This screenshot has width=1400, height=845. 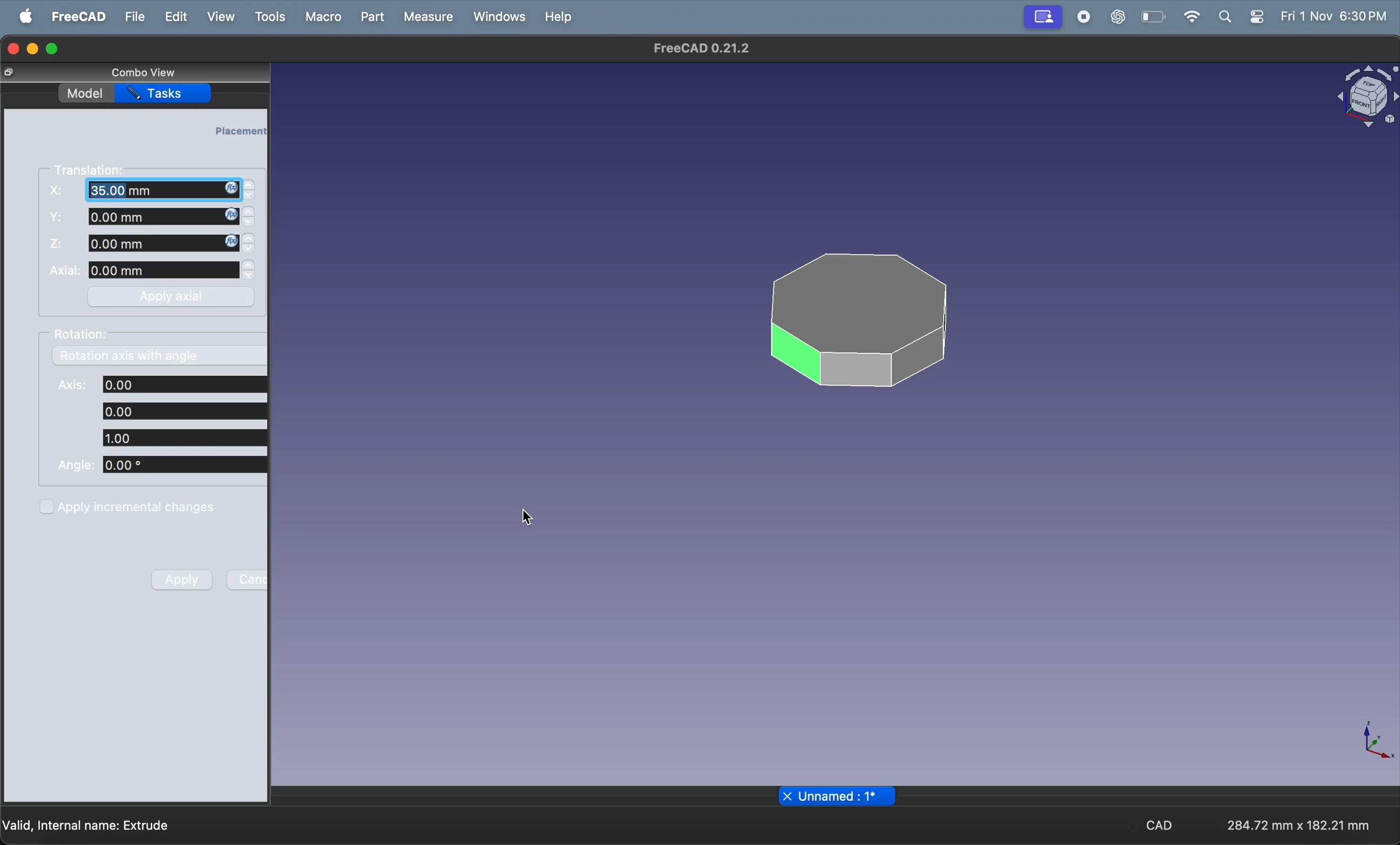 What do you see at coordinates (250, 225) in the screenshot?
I see `down` at bounding box center [250, 225].